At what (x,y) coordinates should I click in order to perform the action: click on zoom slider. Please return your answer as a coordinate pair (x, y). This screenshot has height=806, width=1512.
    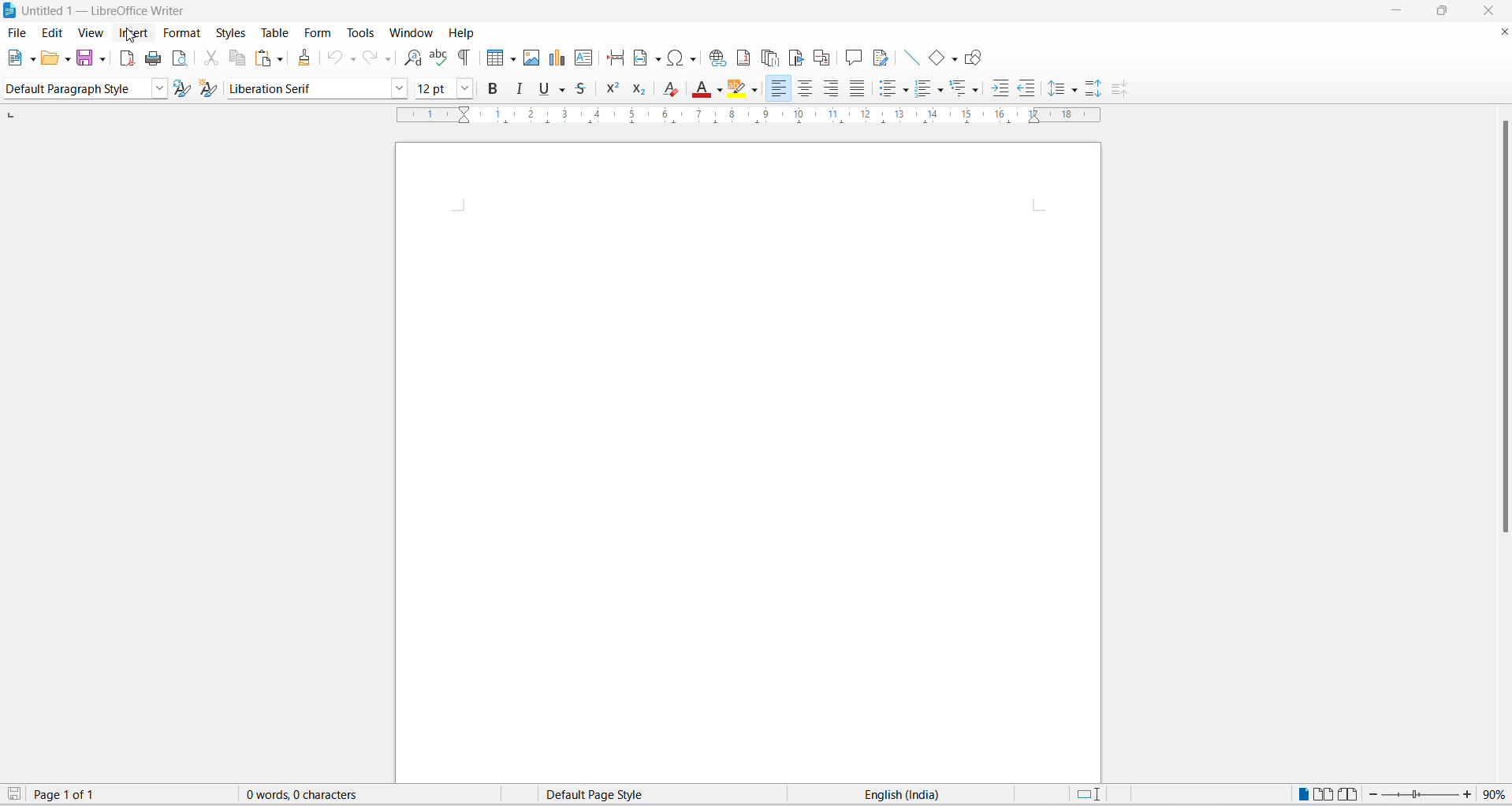
    Looking at the image, I should click on (1417, 797).